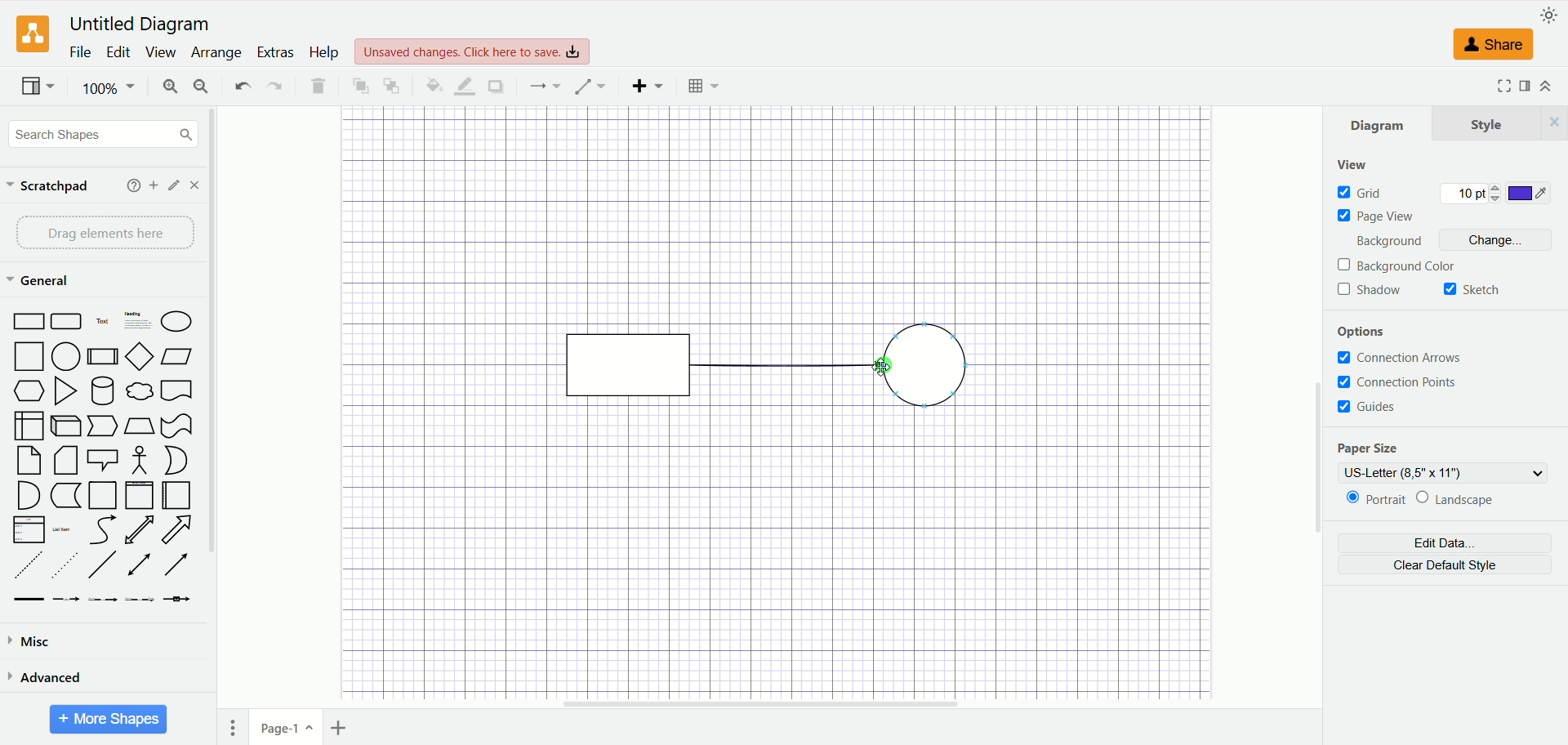 The height and width of the screenshot is (745, 1568). I want to click on file, so click(80, 53).